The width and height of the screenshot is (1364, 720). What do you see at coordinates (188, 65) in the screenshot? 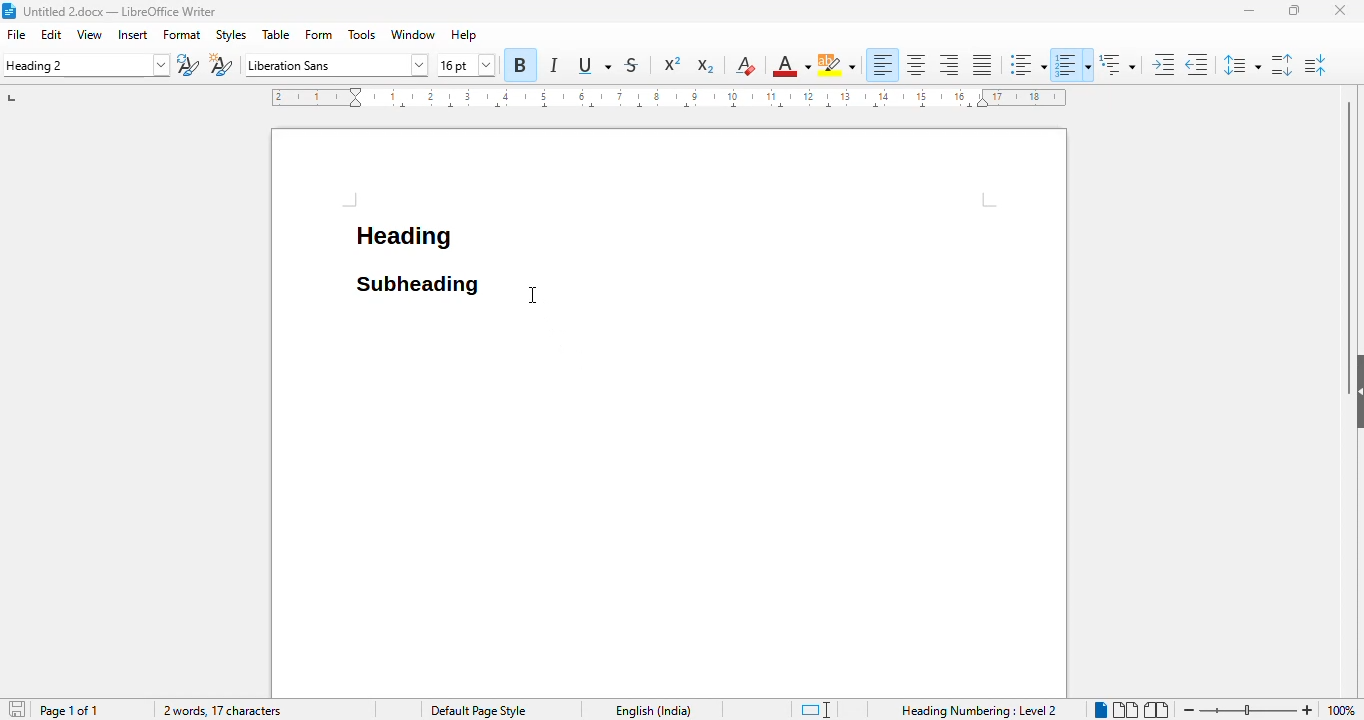
I see `update selected style` at bounding box center [188, 65].